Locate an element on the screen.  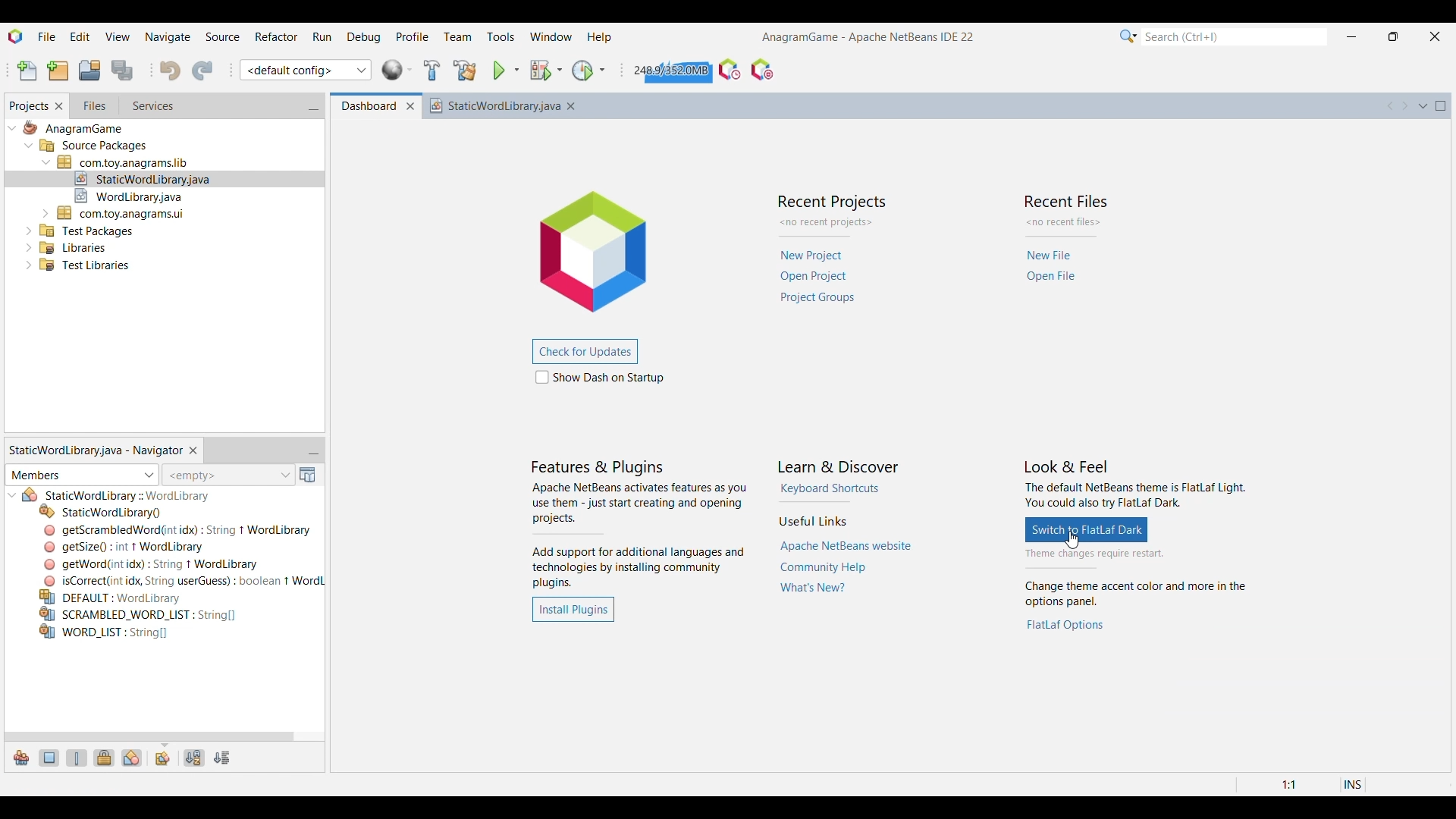
Software logo is located at coordinates (16, 36).